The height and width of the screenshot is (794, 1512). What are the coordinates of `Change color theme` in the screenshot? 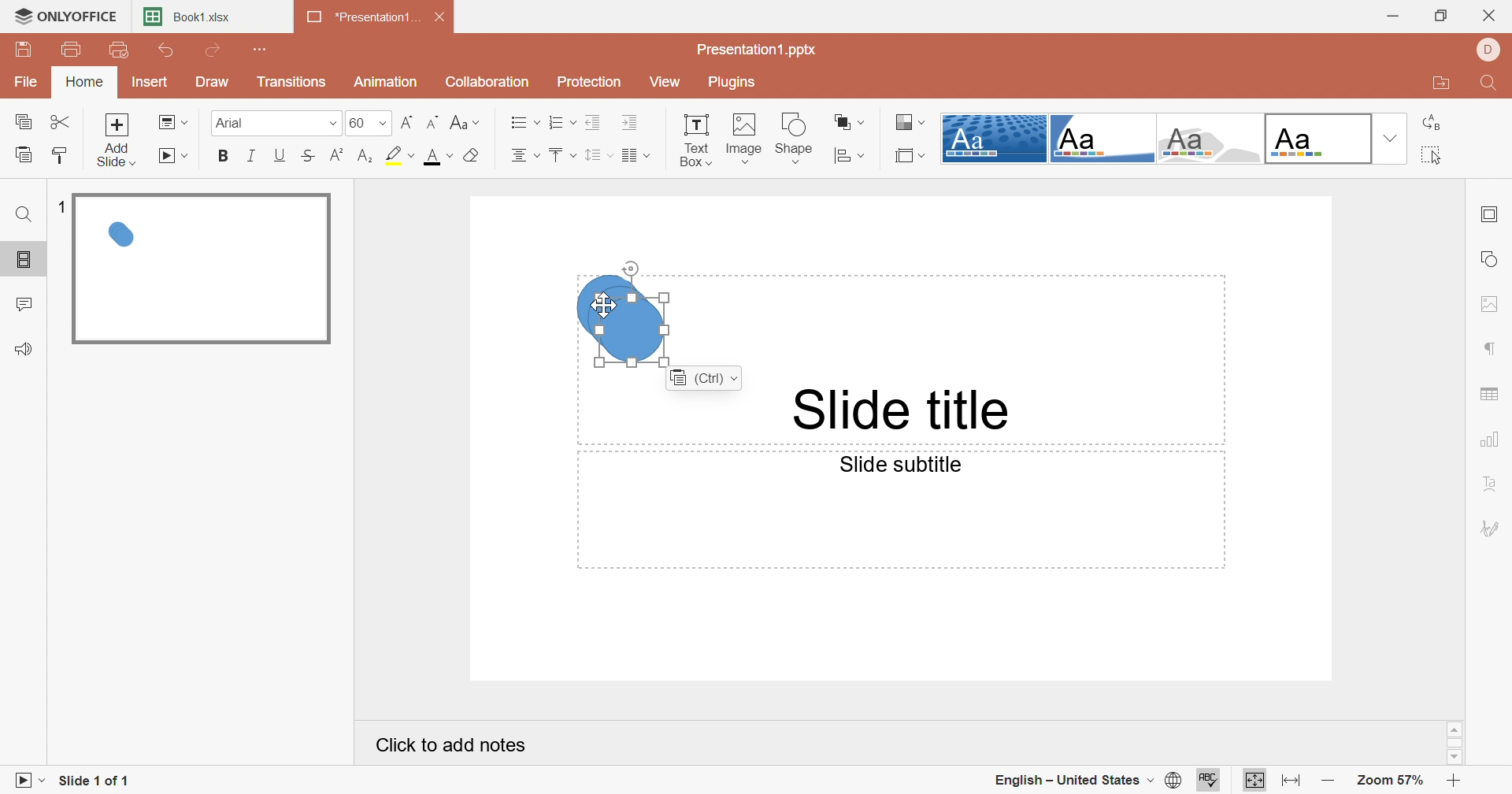 It's located at (910, 121).